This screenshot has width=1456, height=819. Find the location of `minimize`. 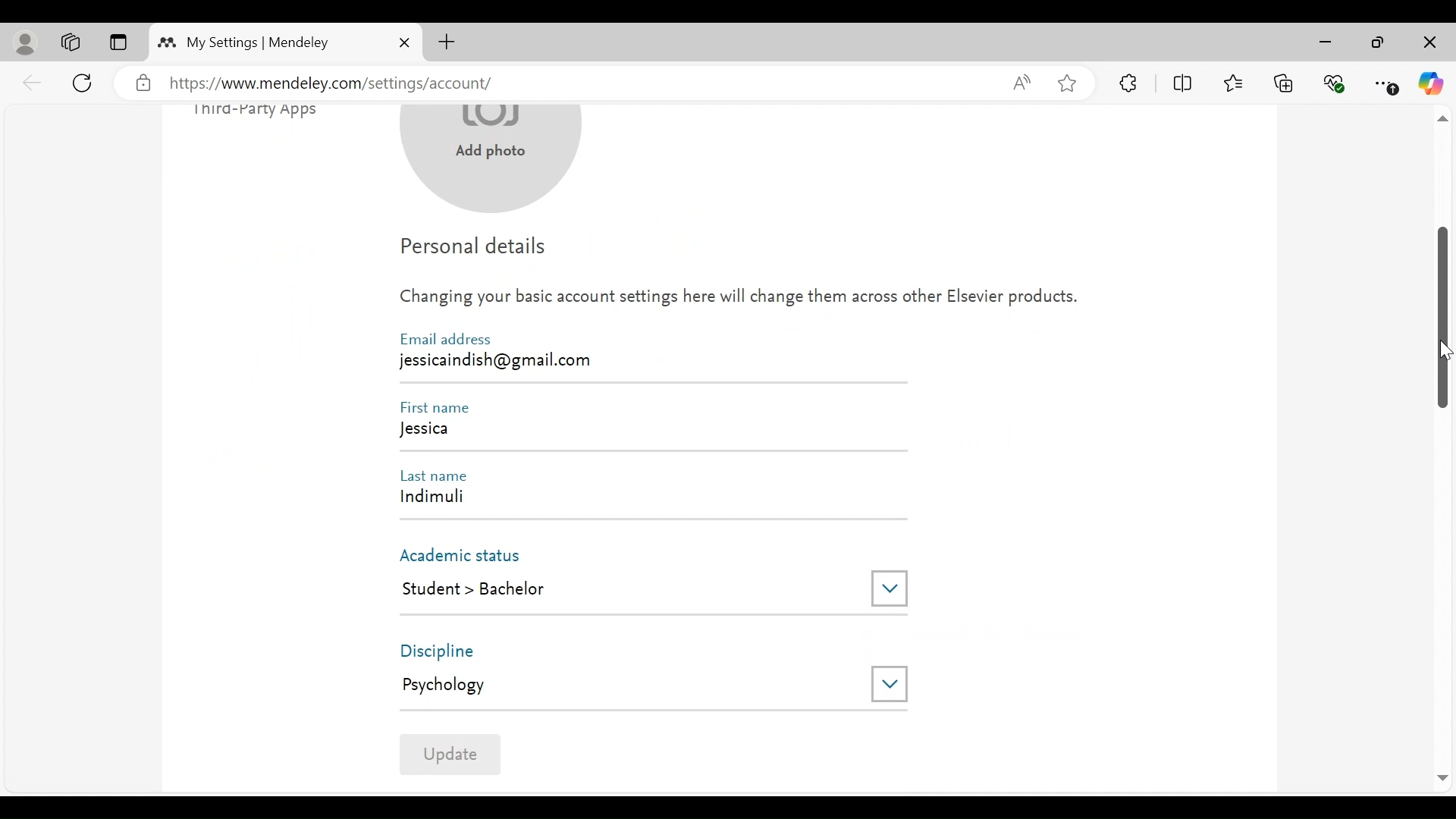

minimize is located at coordinates (1329, 42).